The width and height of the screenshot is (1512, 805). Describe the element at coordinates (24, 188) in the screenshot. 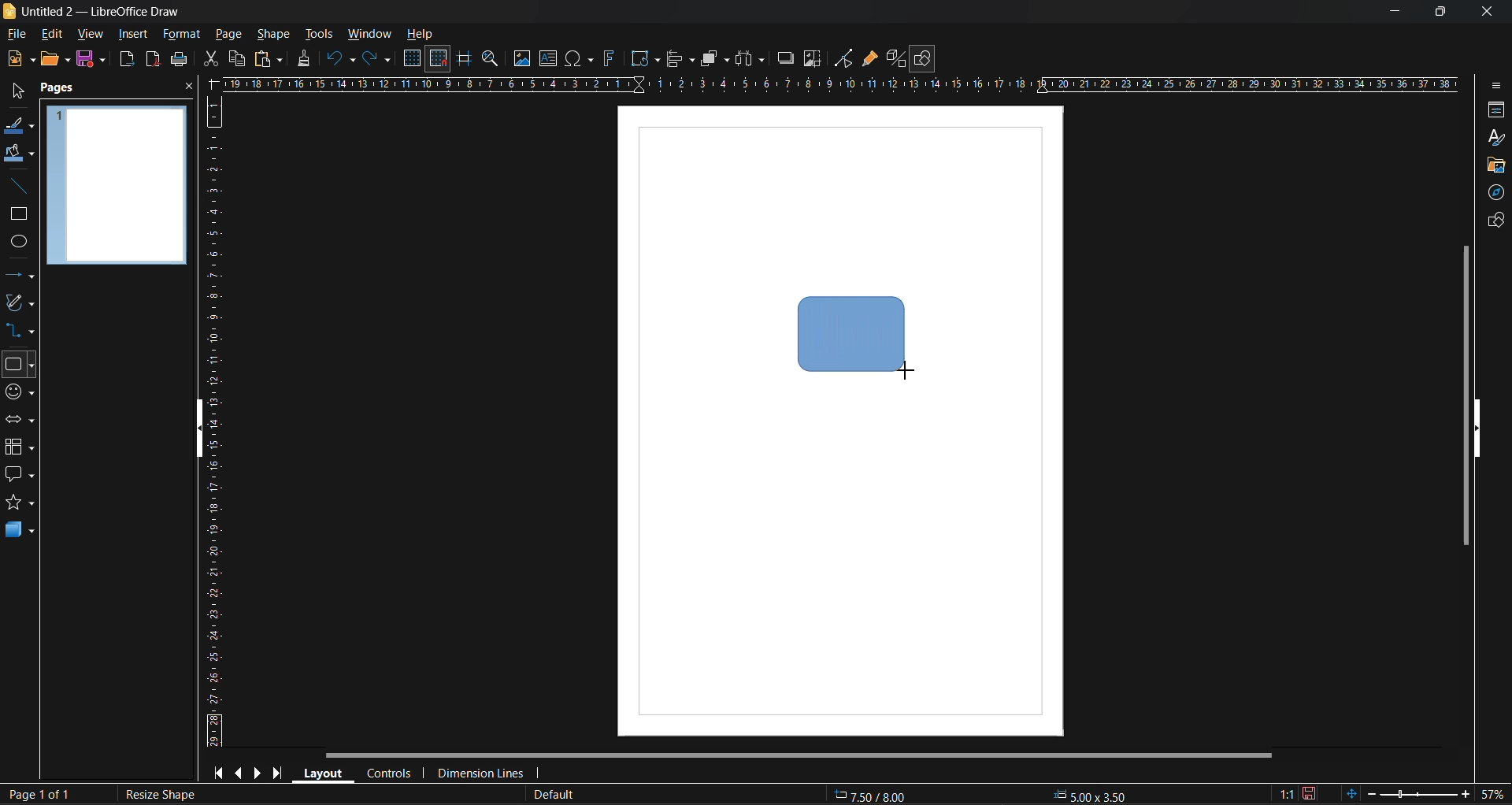

I see `insert line` at that location.